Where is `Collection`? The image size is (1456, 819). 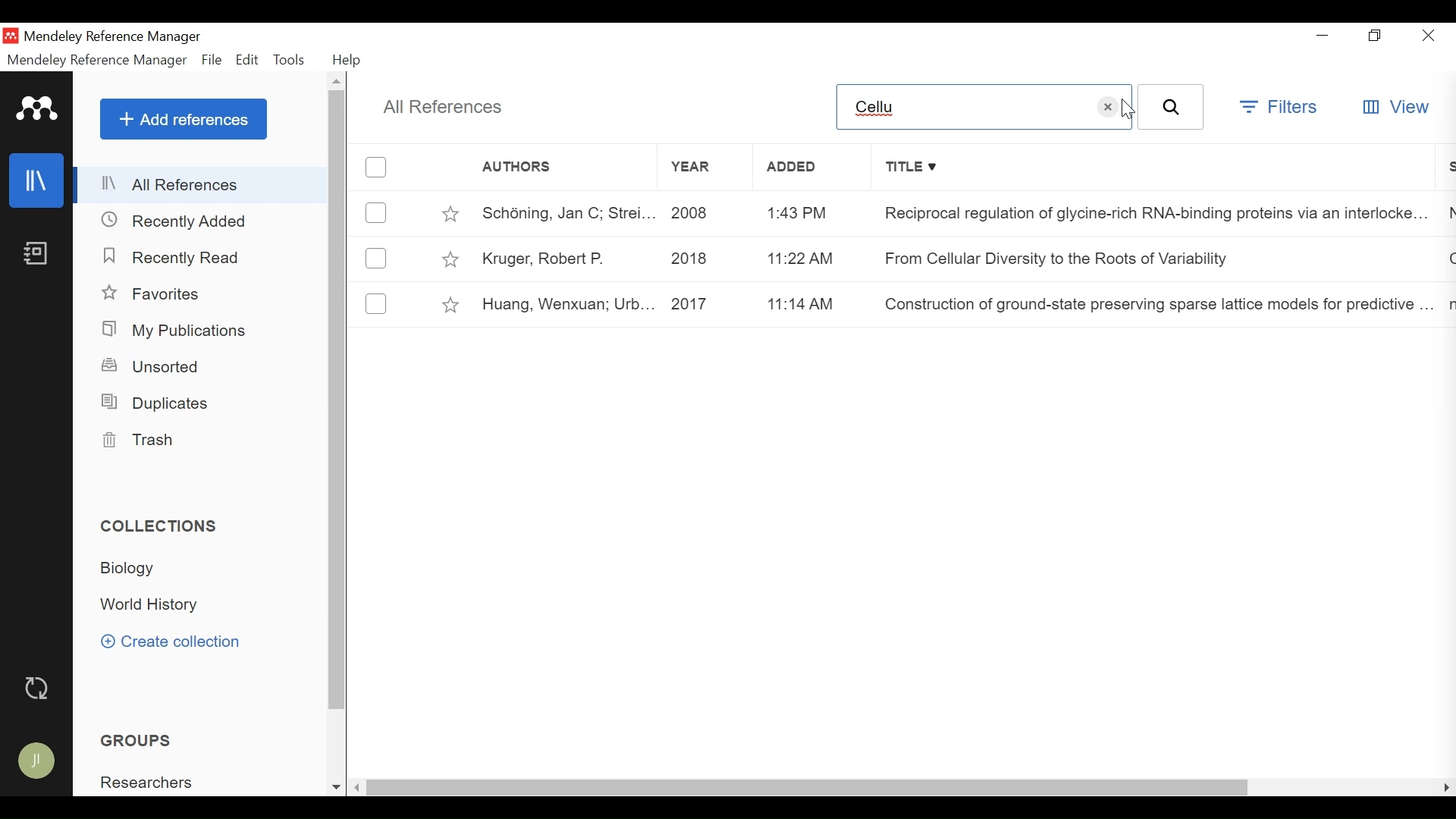 Collection is located at coordinates (129, 569).